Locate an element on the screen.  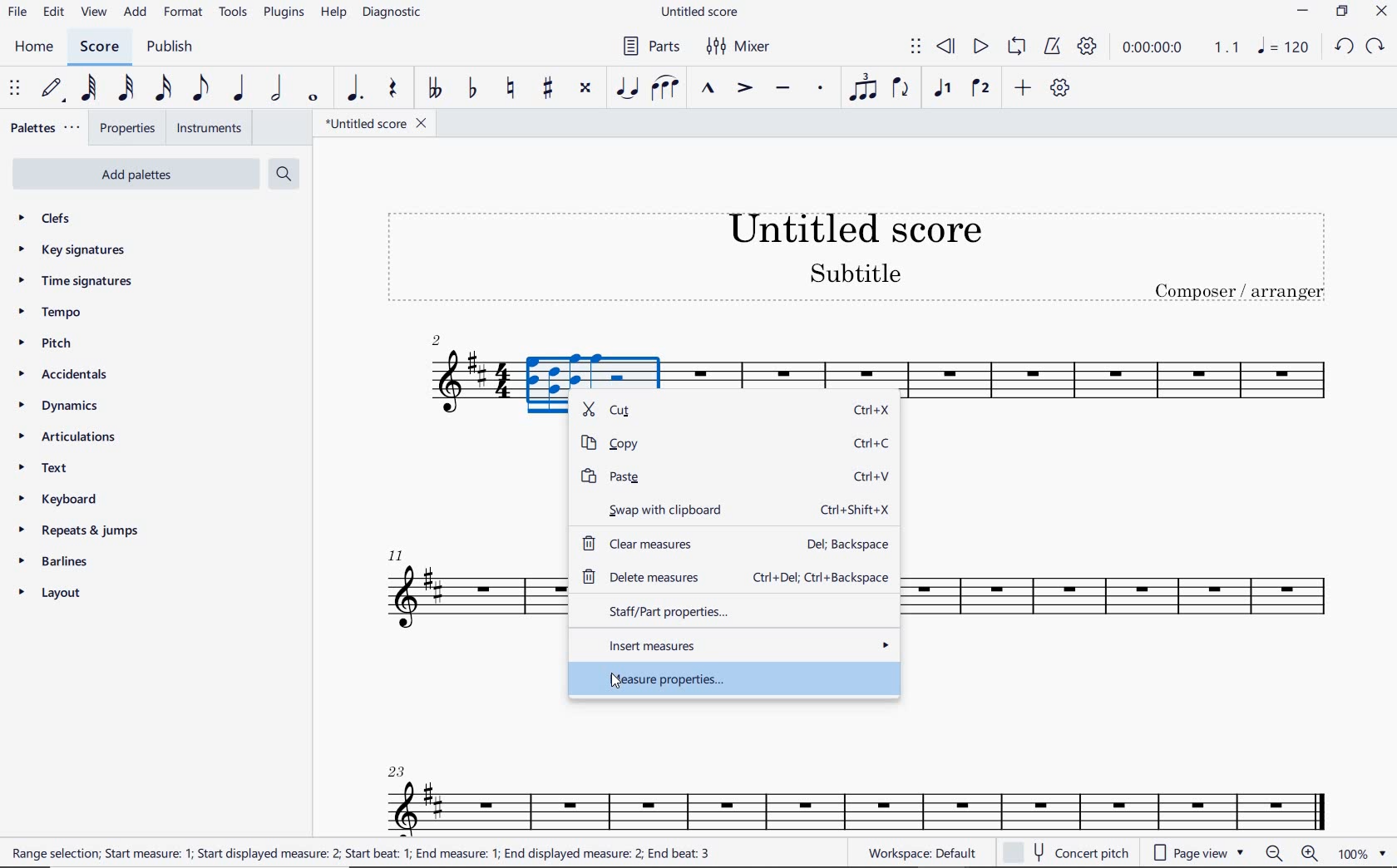
MIXER is located at coordinates (739, 47).